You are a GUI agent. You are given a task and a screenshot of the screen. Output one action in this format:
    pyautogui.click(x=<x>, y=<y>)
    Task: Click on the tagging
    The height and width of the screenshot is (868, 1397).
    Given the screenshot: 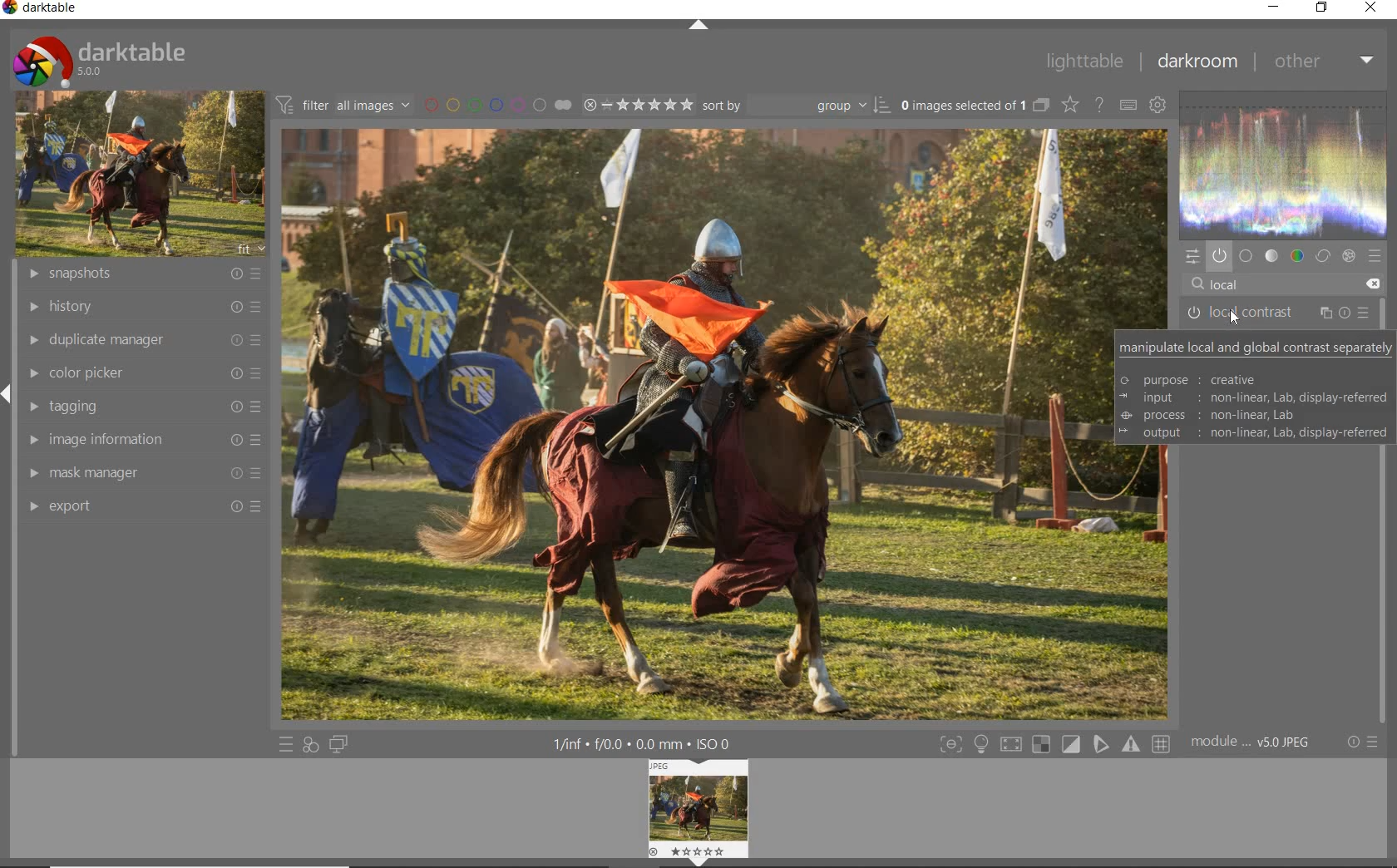 What is the action you would take?
    pyautogui.click(x=141, y=407)
    